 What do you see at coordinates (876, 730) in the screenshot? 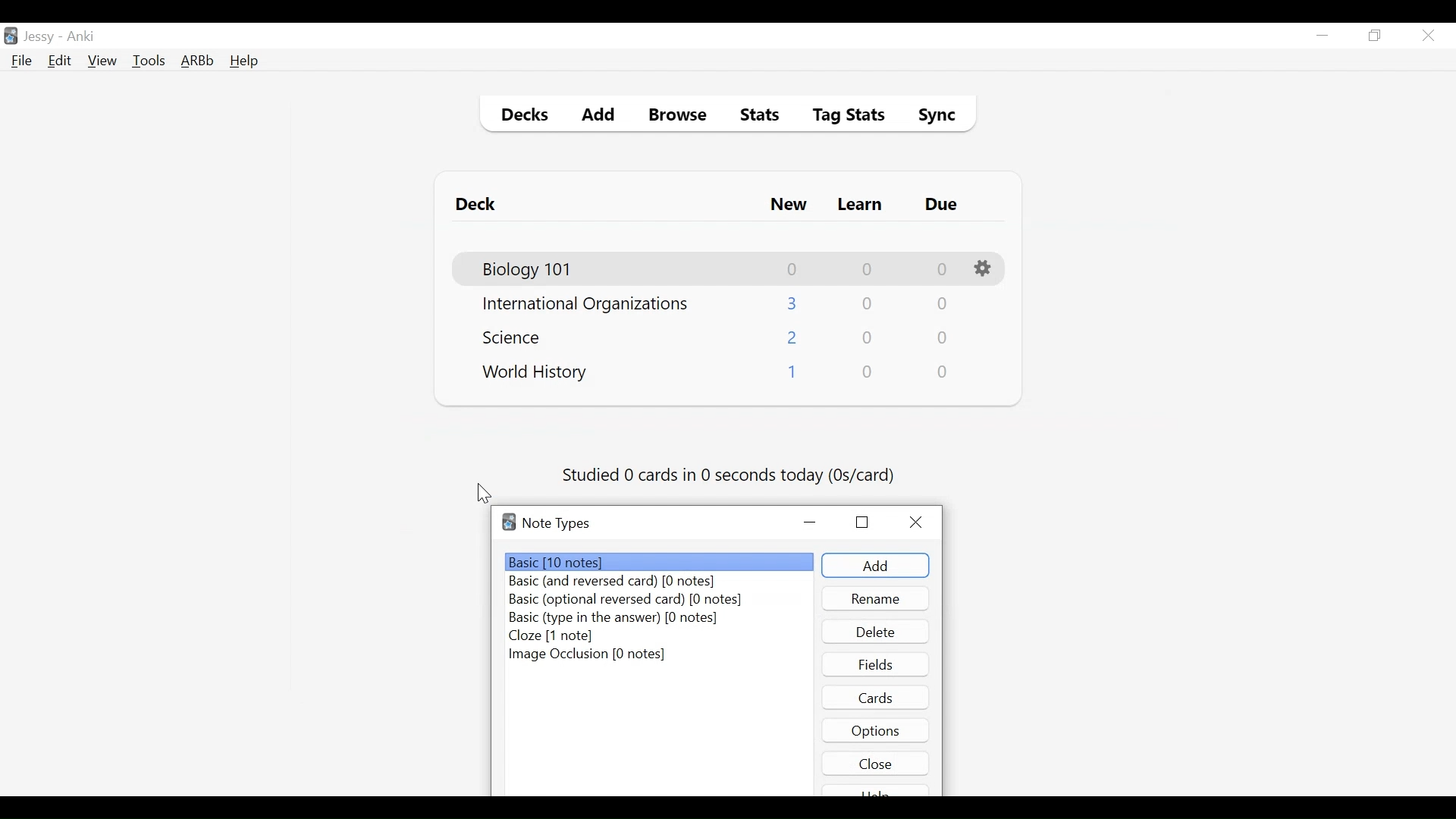
I see `Options` at bounding box center [876, 730].